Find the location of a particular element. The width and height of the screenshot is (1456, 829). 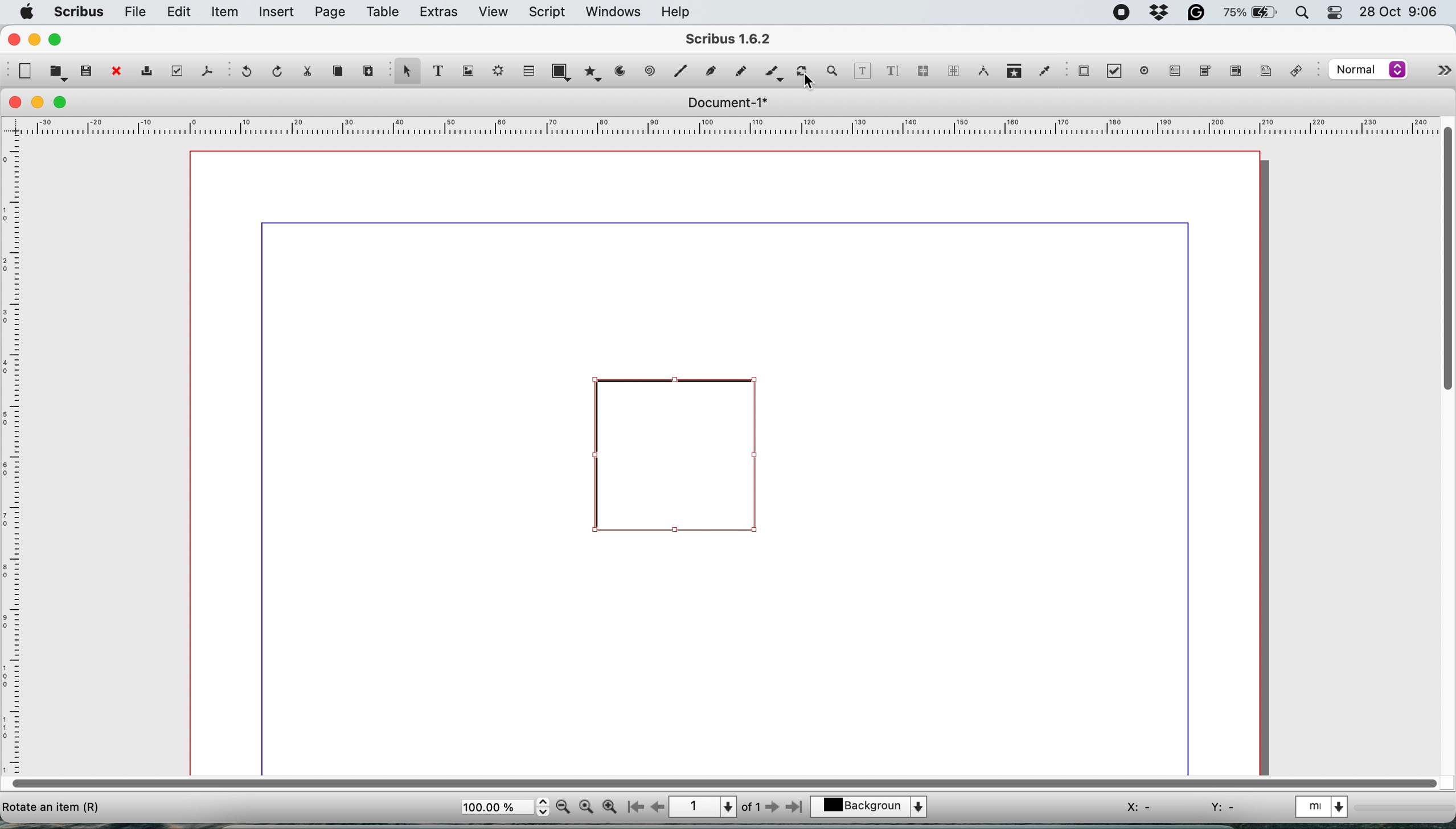

edit is located at coordinates (181, 13).